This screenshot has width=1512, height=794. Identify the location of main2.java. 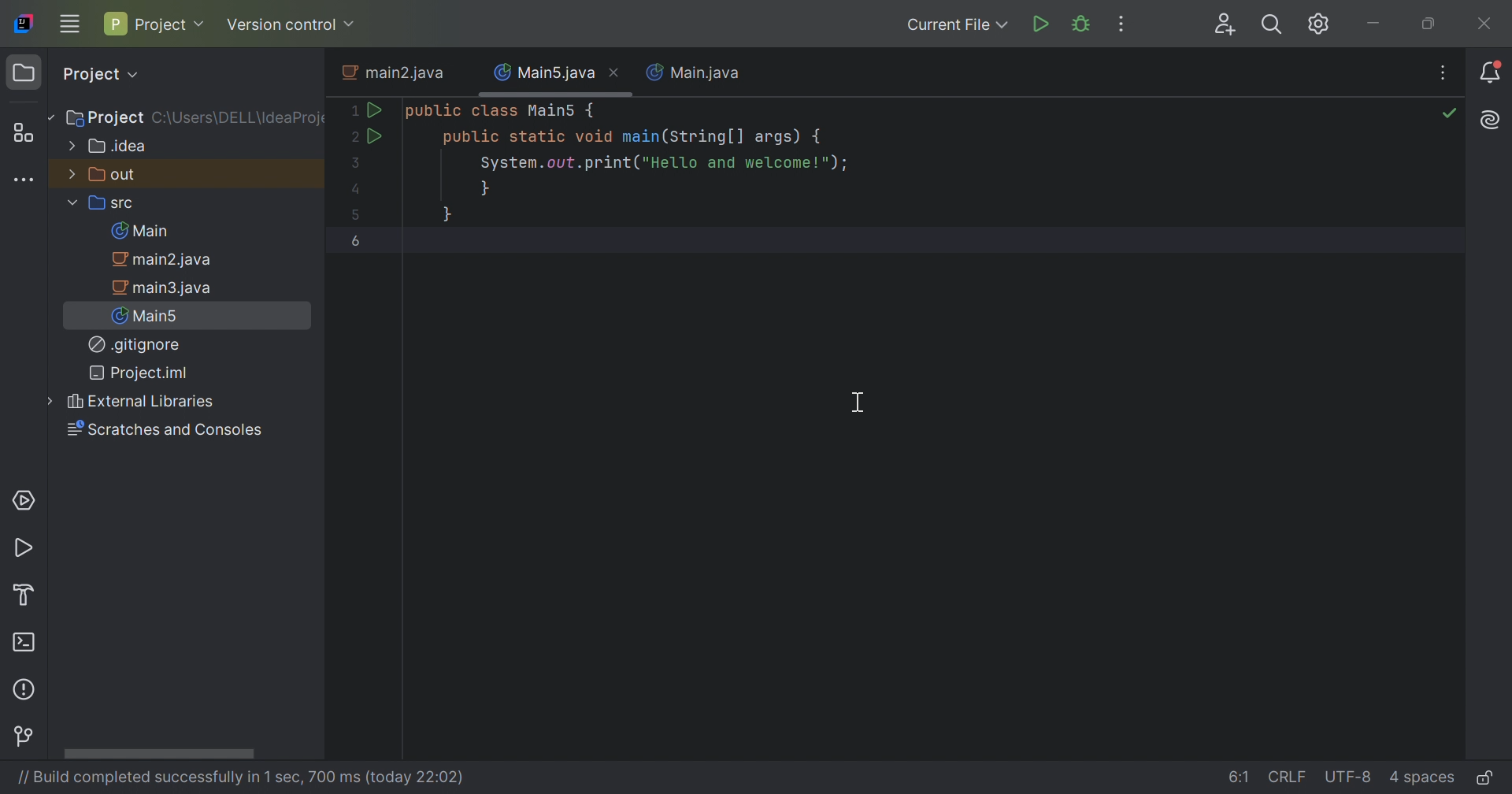
(397, 73).